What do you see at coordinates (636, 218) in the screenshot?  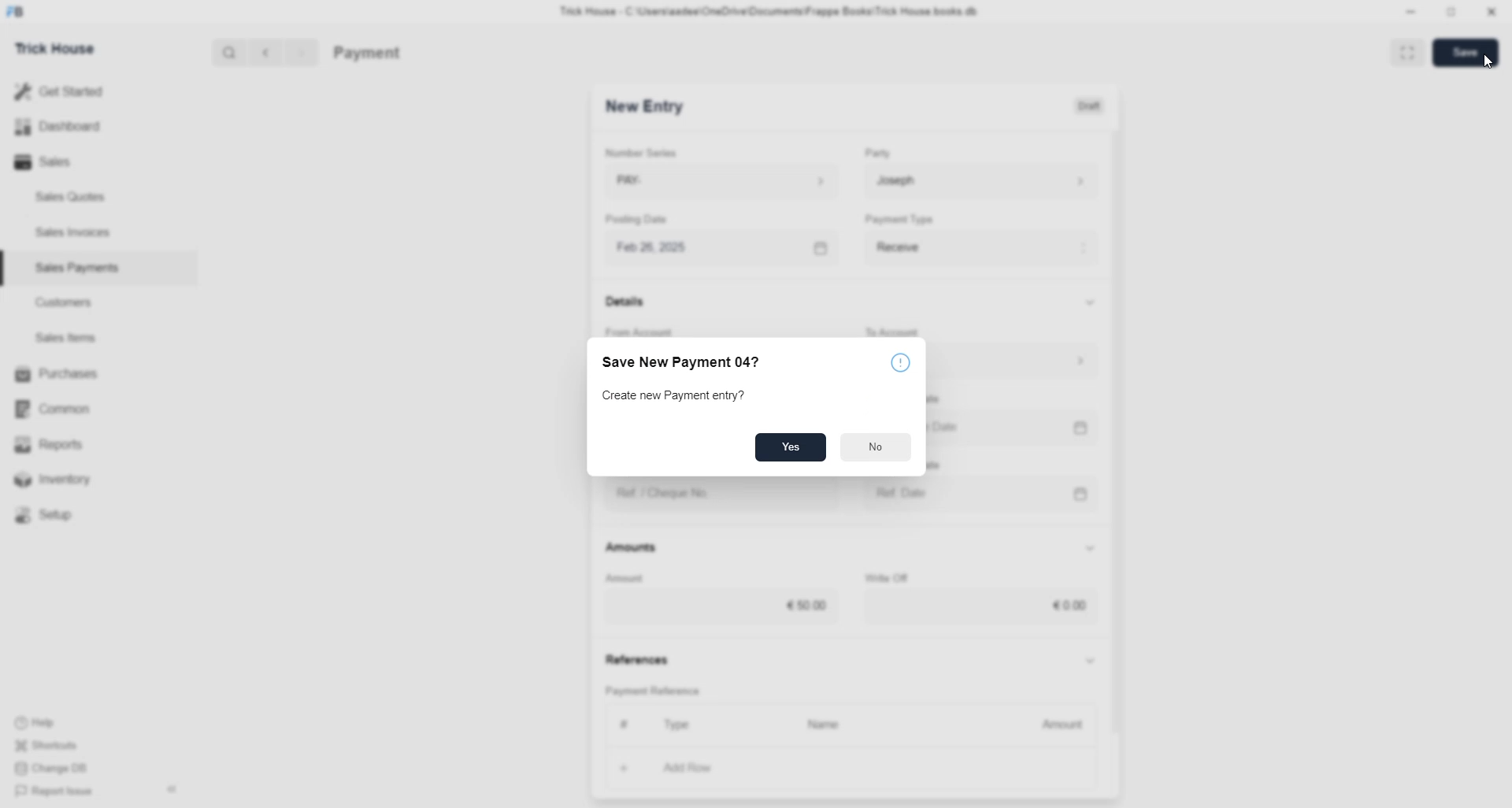 I see `Posting Date` at bounding box center [636, 218].